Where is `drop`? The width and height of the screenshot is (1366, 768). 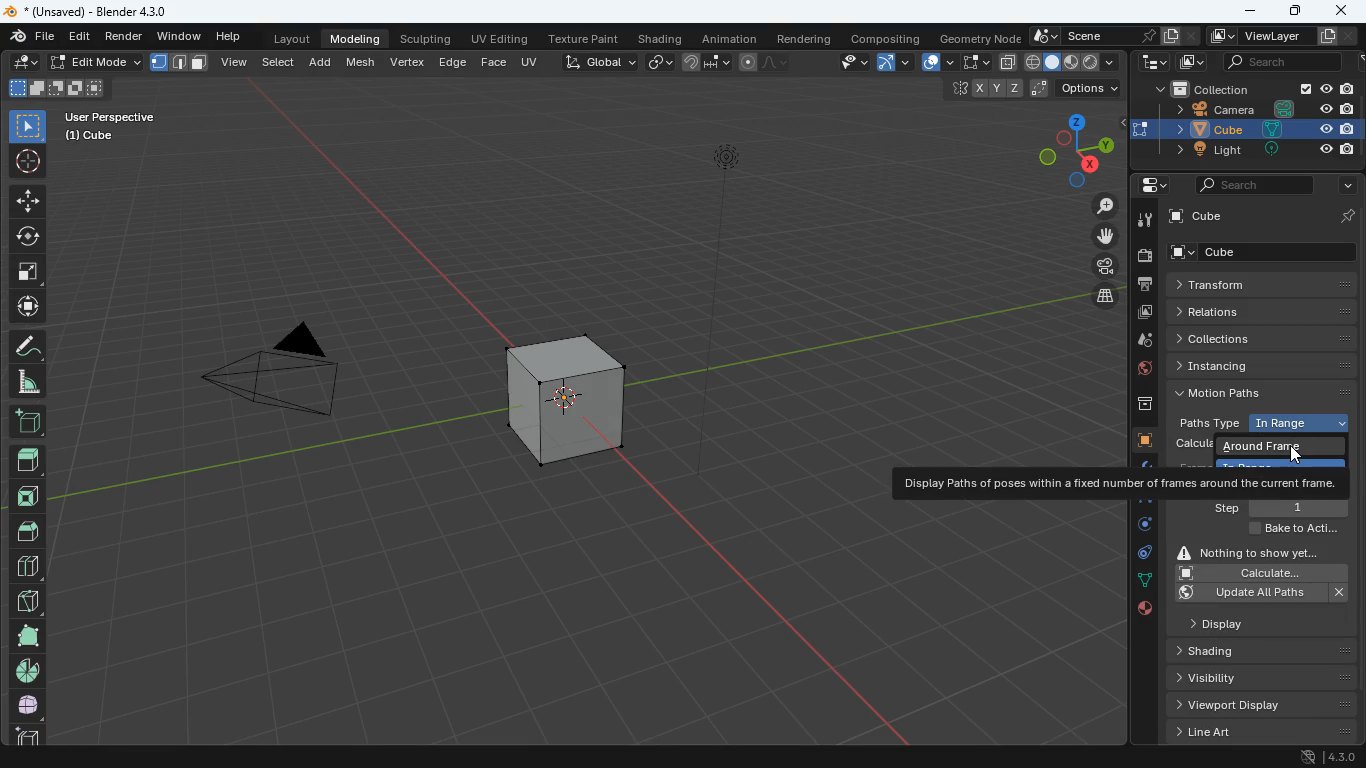 drop is located at coordinates (1145, 342).